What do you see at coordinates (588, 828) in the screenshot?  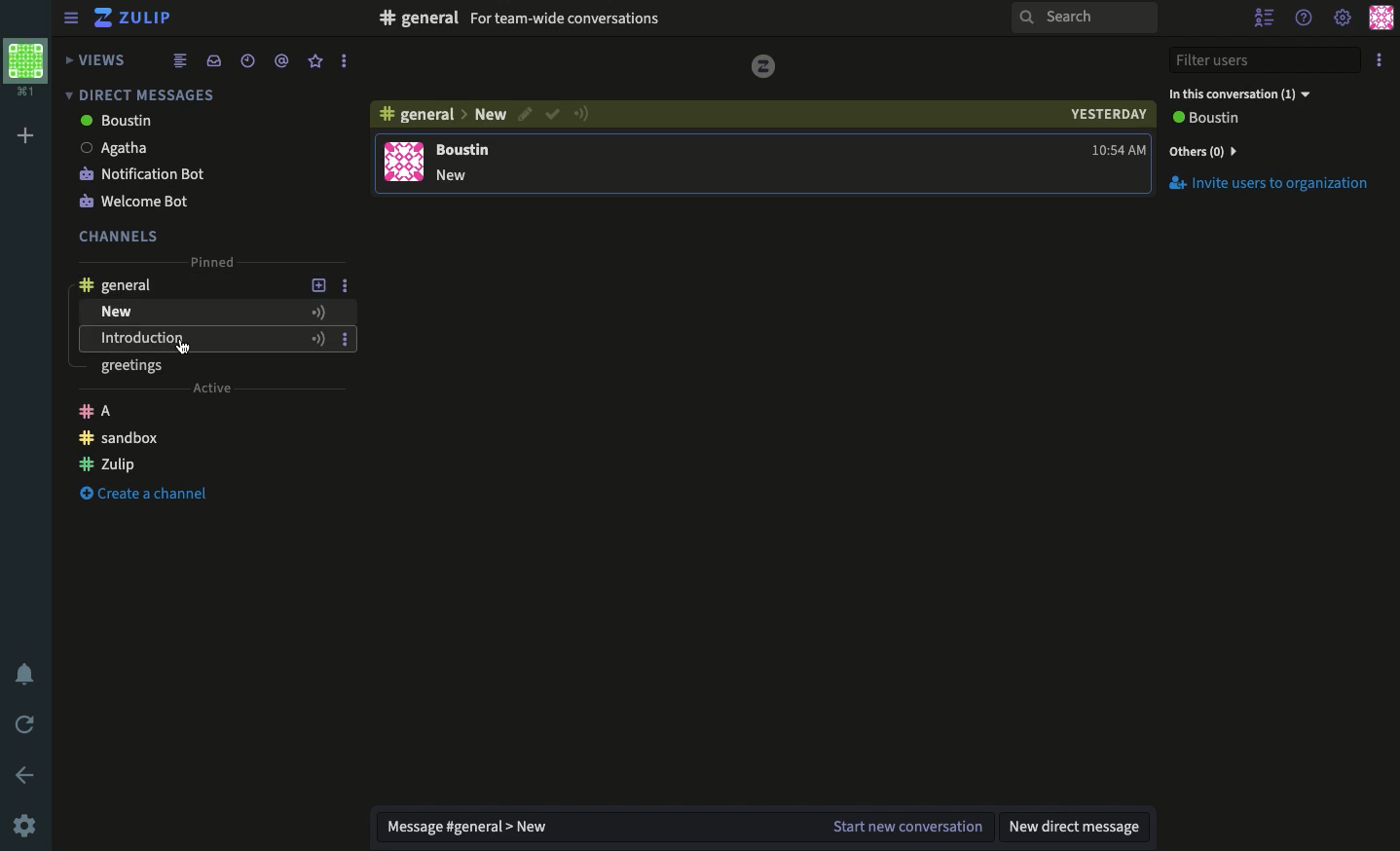 I see `Message` at bounding box center [588, 828].